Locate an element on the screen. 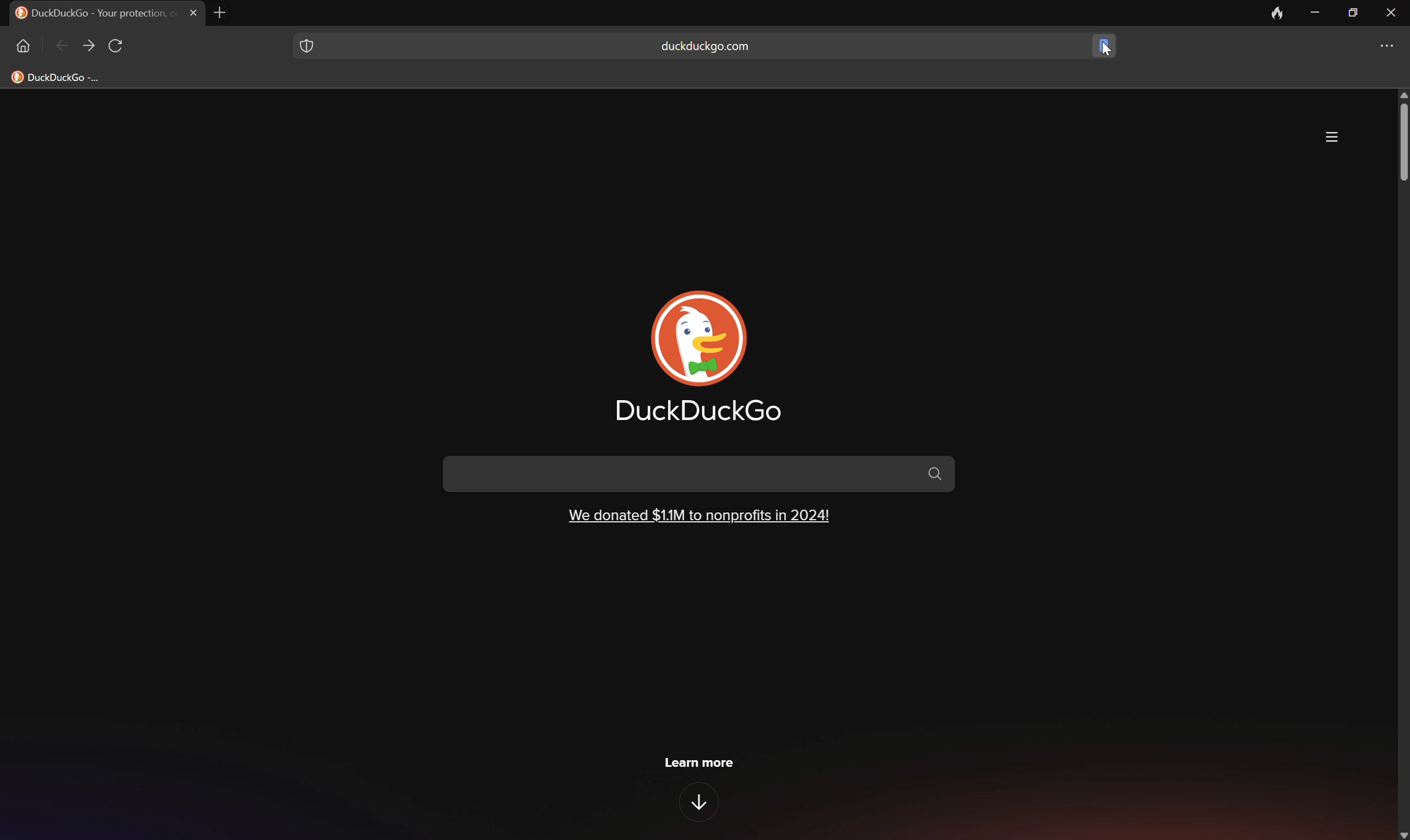  Previous is located at coordinates (63, 48).